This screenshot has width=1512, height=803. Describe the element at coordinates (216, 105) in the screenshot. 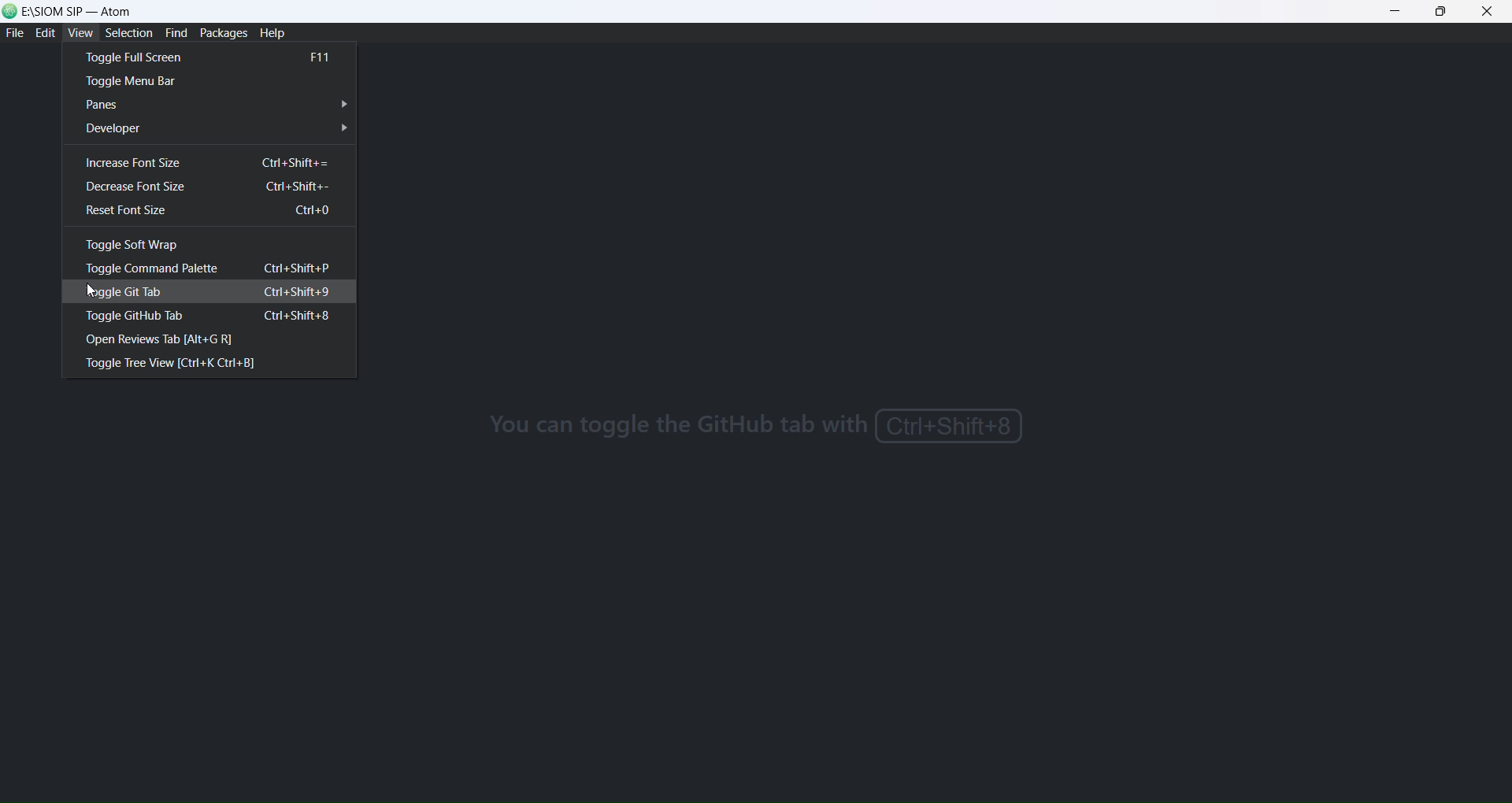

I see `panes` at that location.